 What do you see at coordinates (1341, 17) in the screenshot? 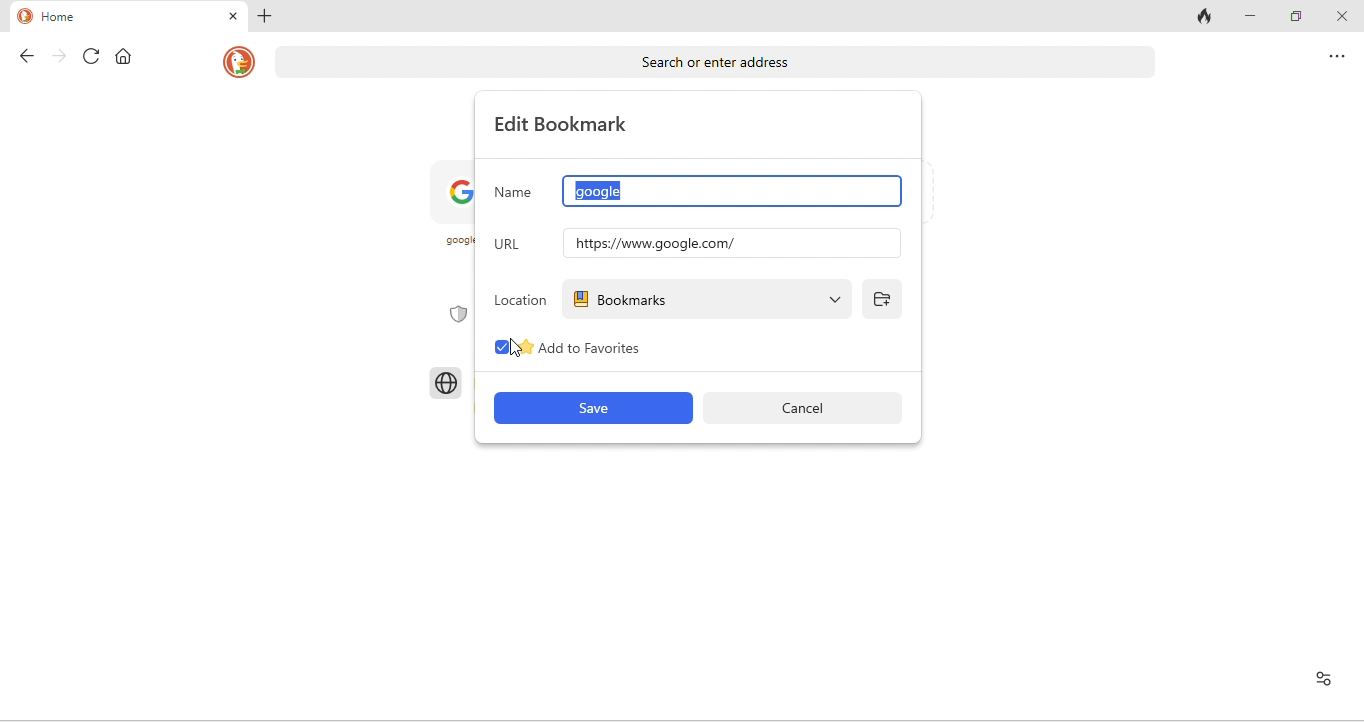
I see `close` at bounding box center [1341, 17].